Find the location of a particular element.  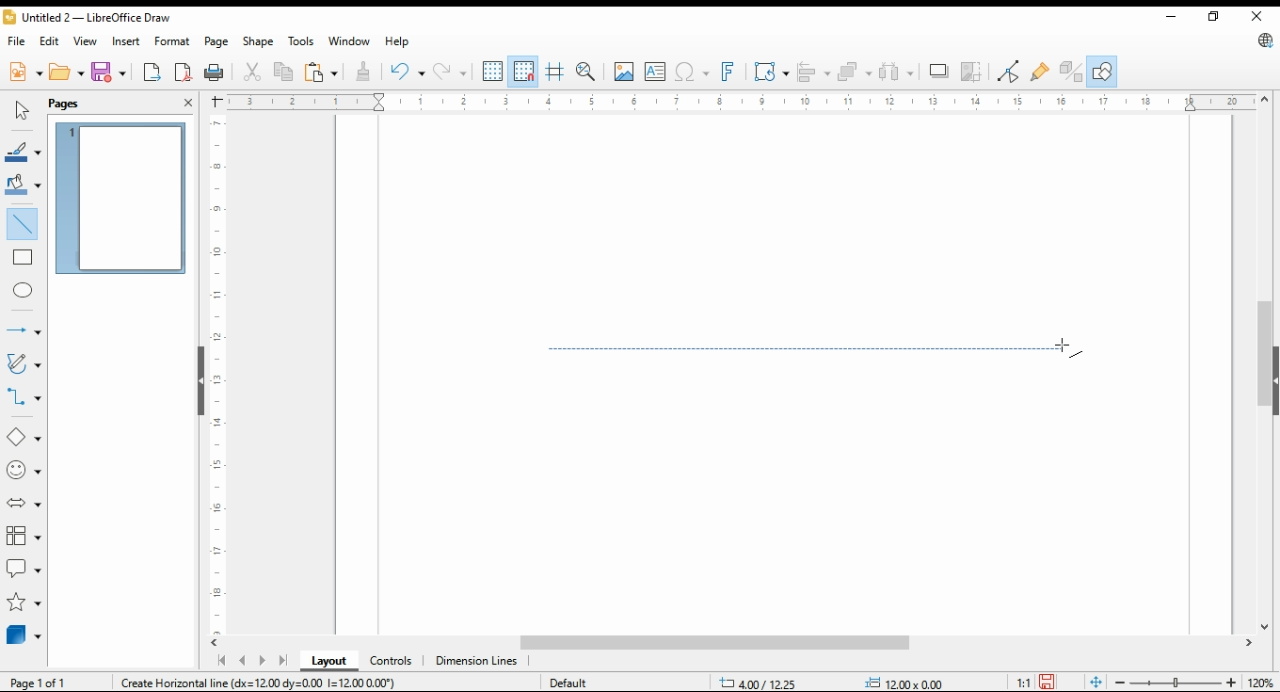

minimize is located at coordinates (1174, 13).